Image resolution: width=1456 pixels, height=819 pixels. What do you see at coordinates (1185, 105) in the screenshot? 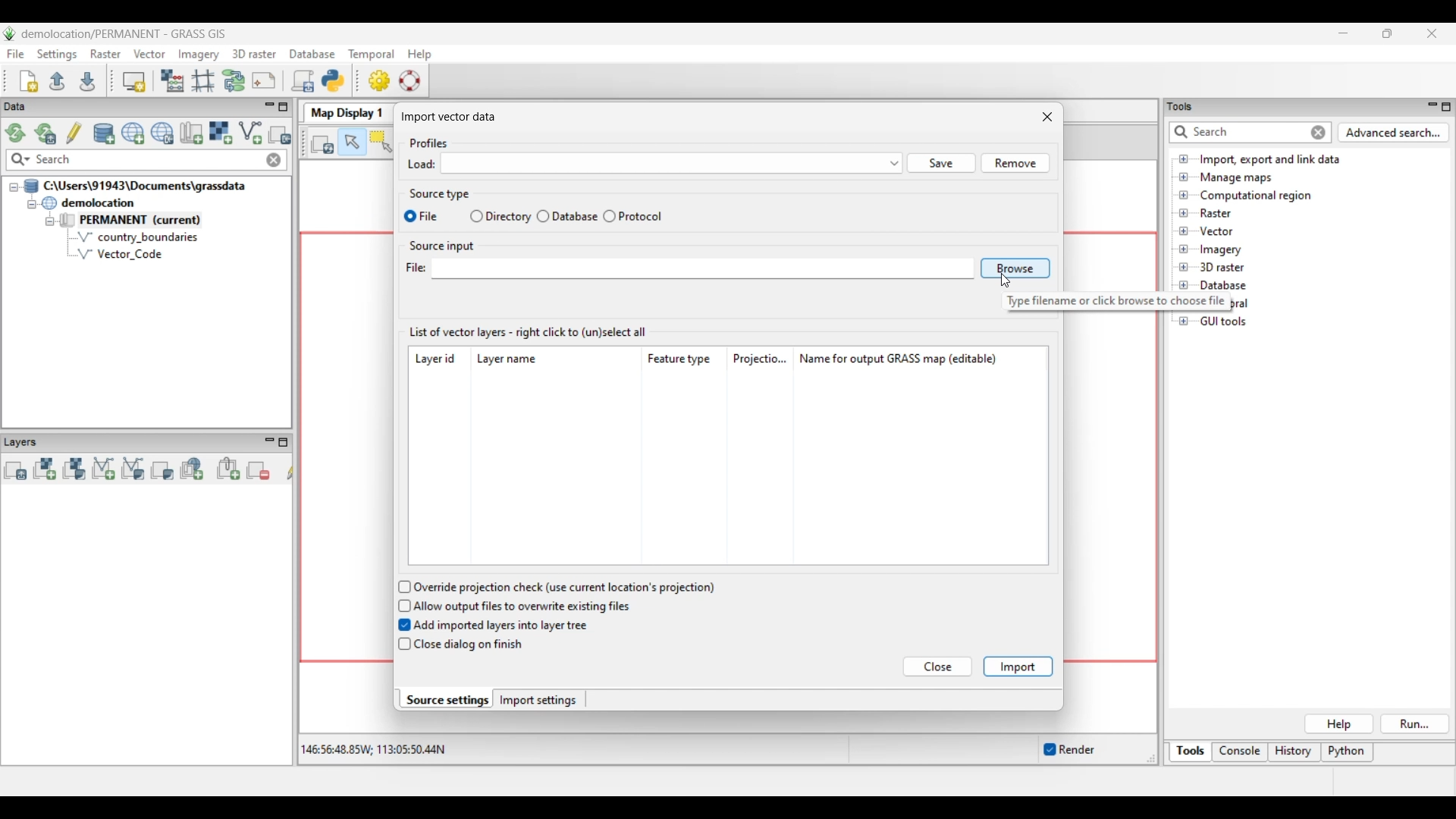
I see `tools` at bounding box center [1185, 105].